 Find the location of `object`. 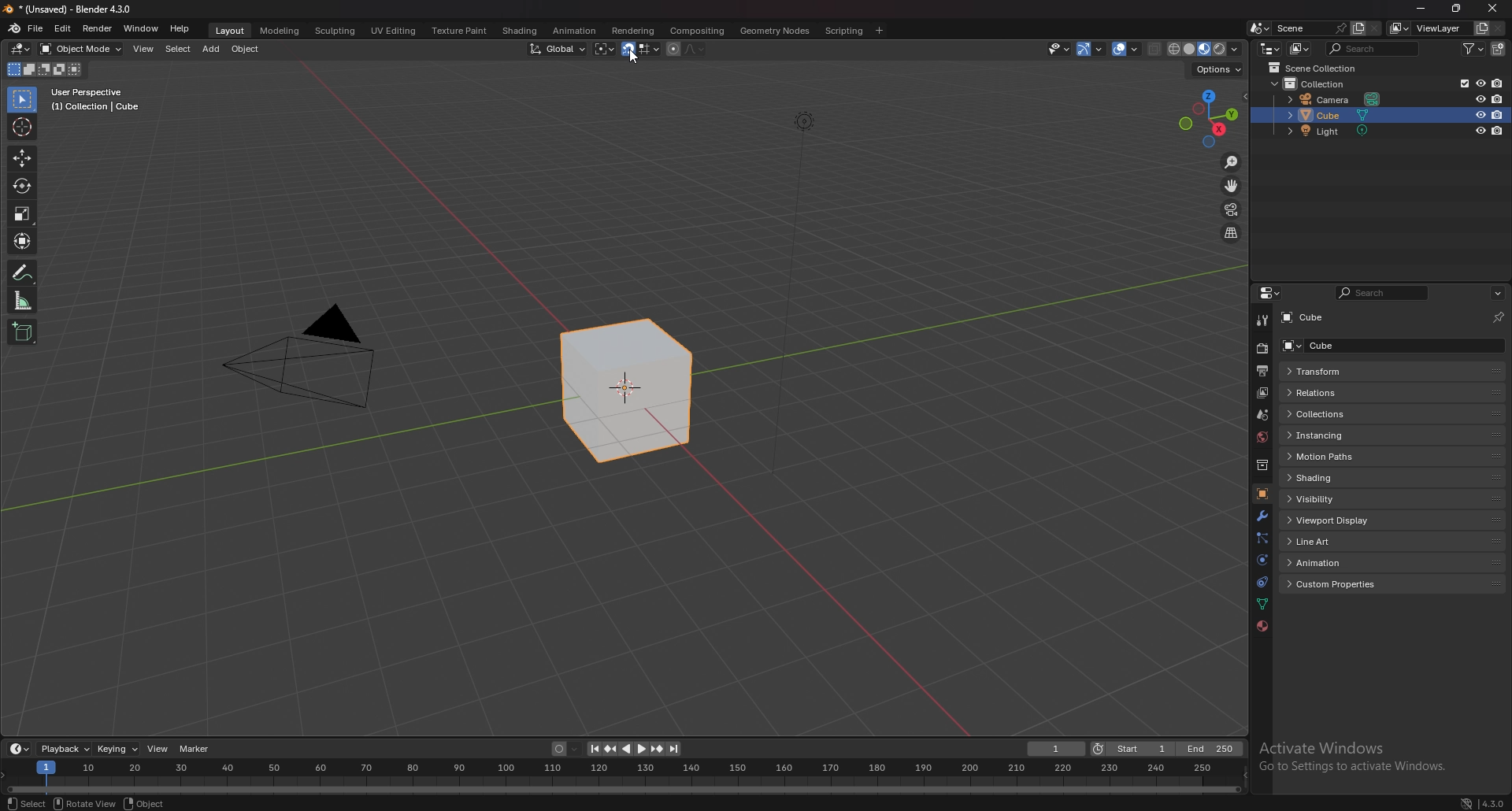

object is located at coordinates (147, 802).